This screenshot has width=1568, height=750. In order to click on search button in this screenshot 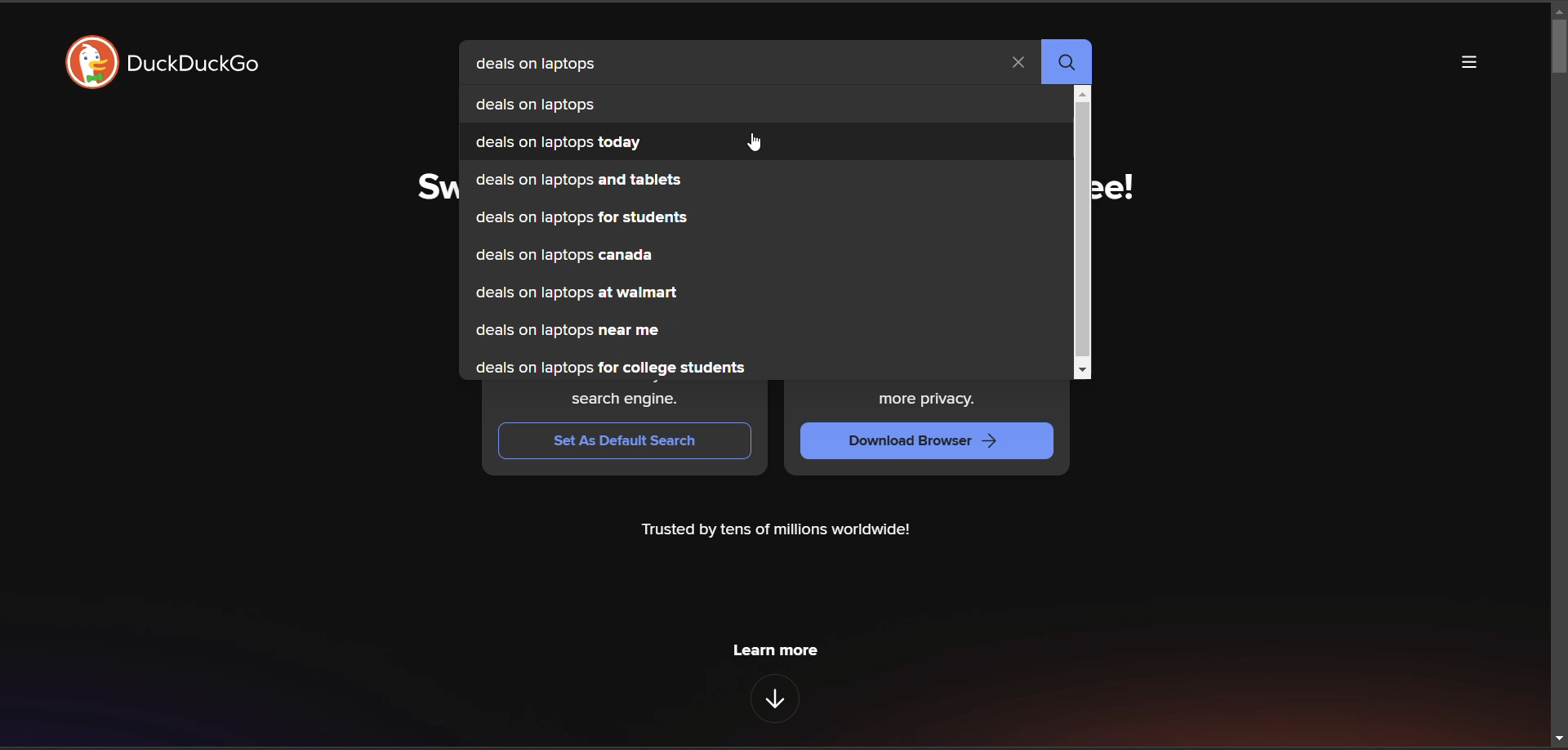, I will do `click(1071, 64)`.